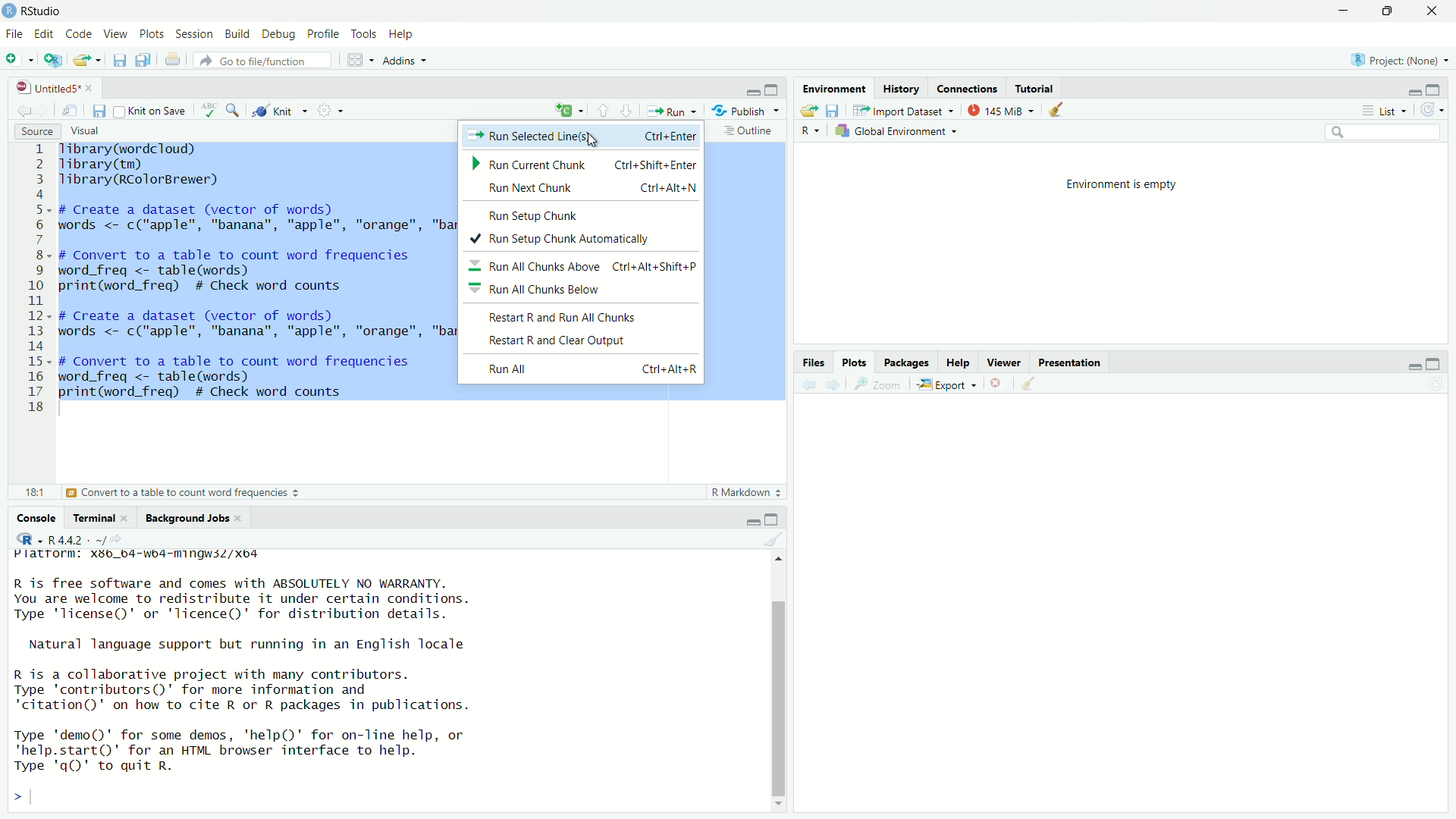  I want to click on Go to the file/function, so click(262, 61).